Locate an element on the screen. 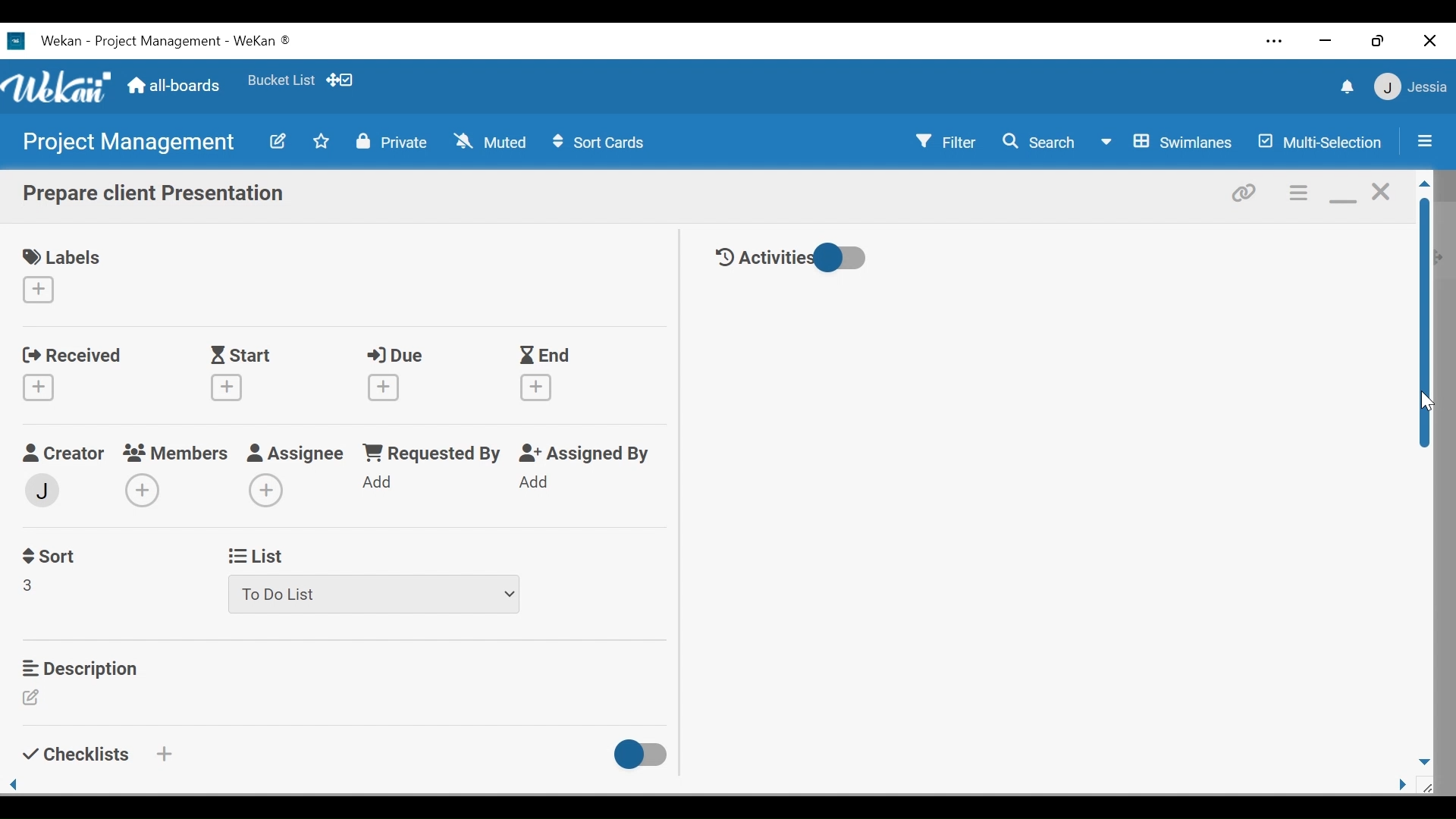 This screenshot has width=1456, height=819. Create label is located at coordinates (39, 290).